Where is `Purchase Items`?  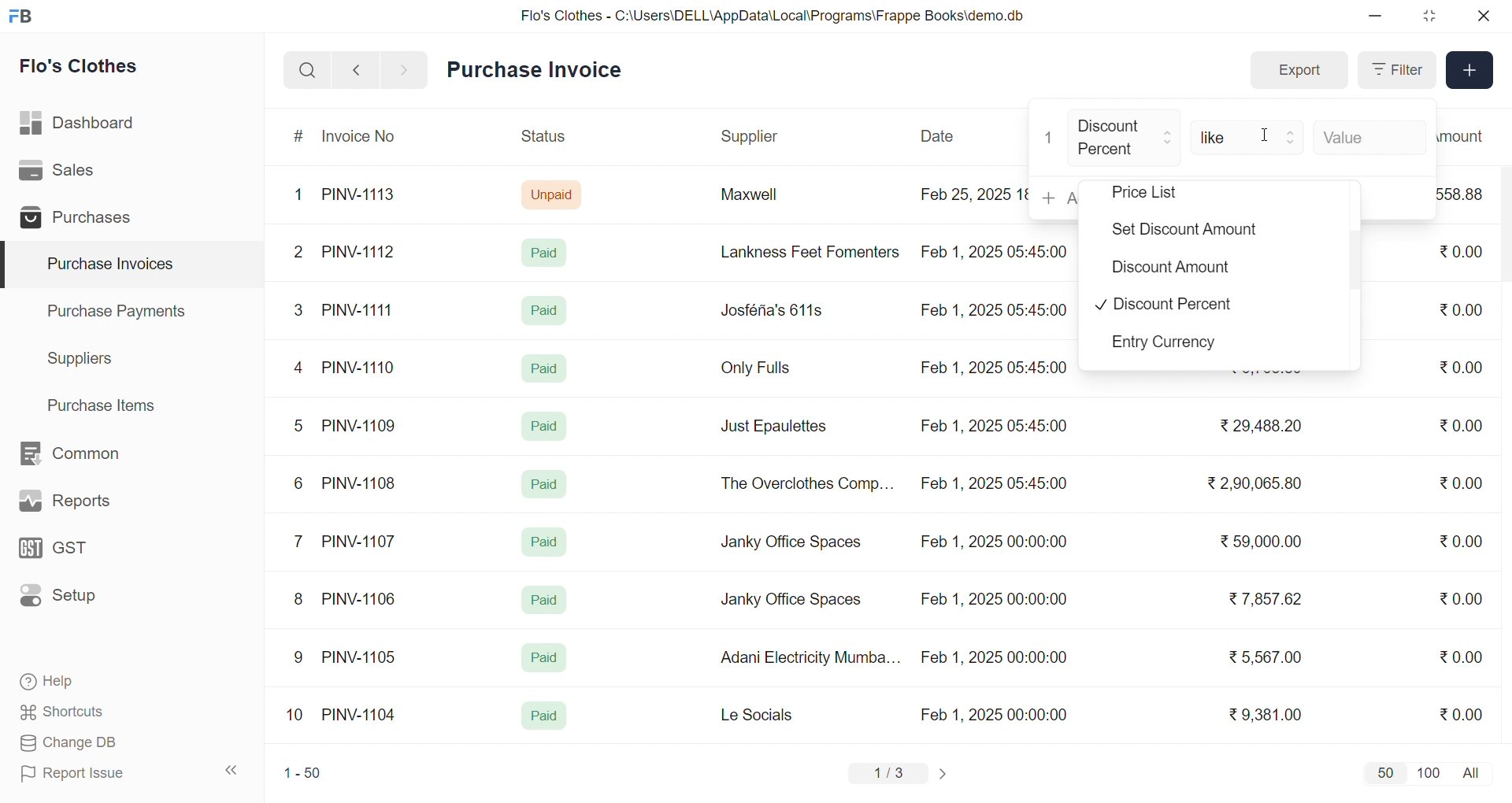 Purchase Items is located at coordinates (107, 403).